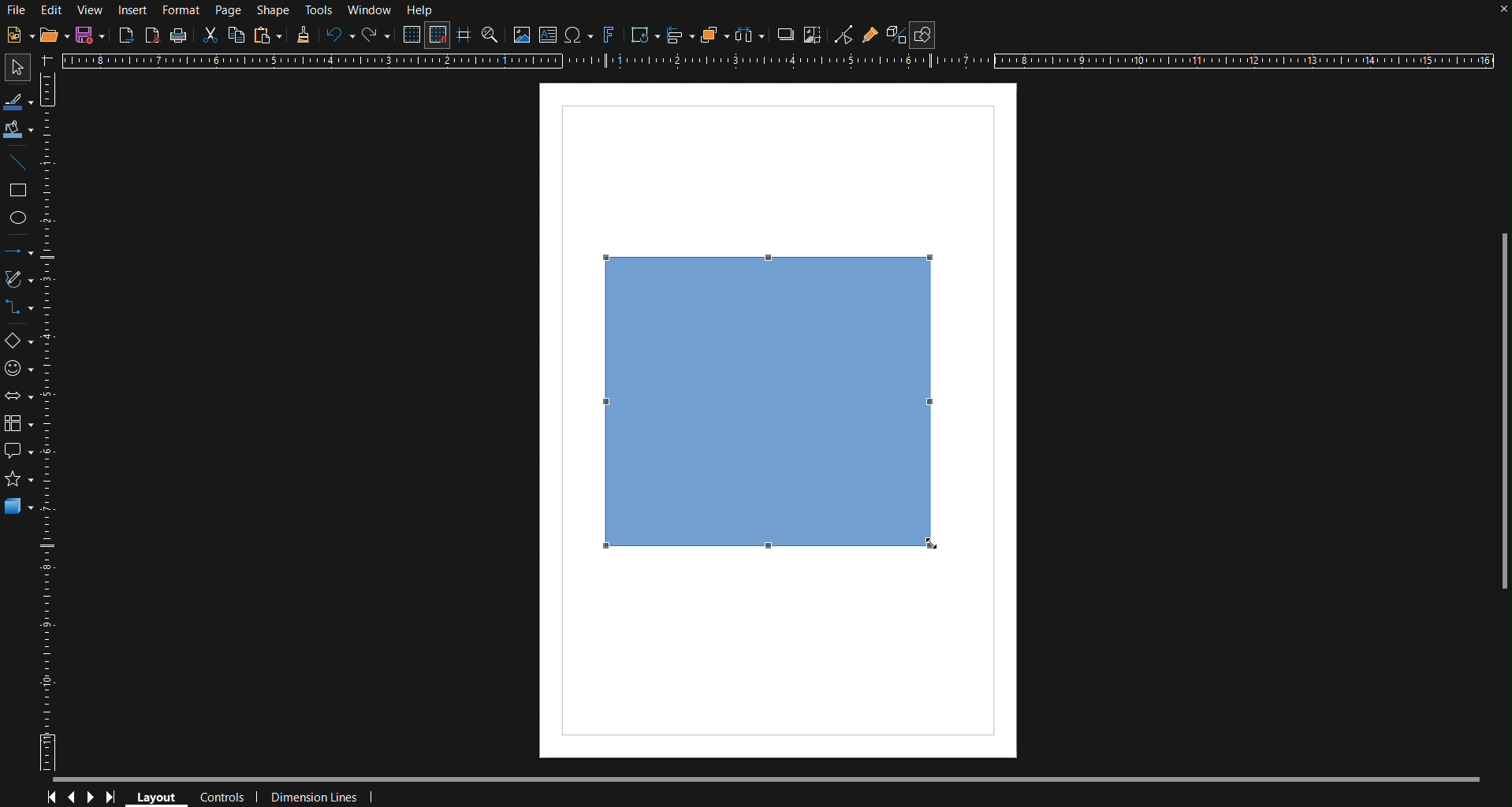  Describe the element at coordinates (268, 35) in the screenshot. I see `Paste` at that location.